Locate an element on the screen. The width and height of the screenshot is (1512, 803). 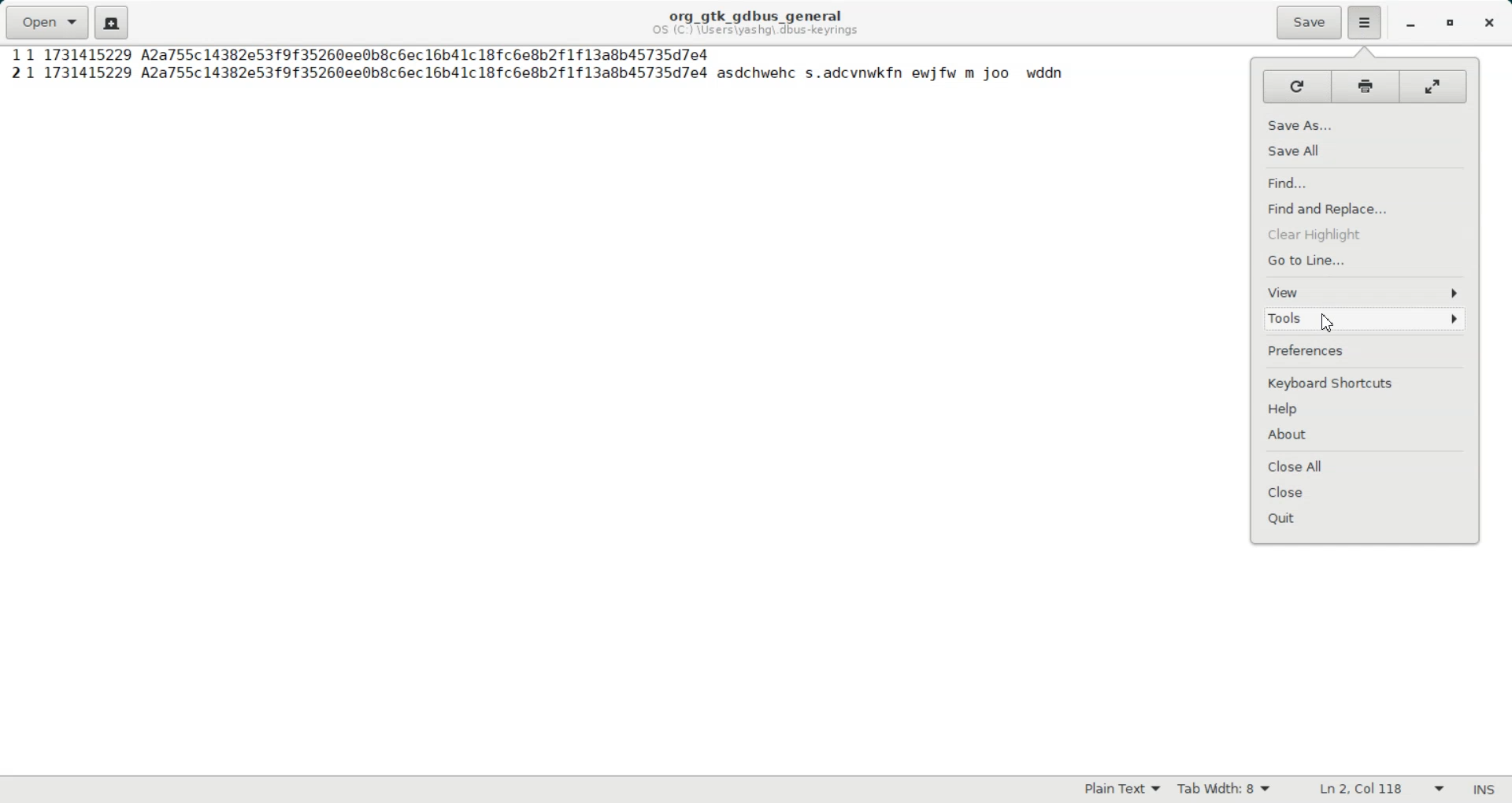
Quit is located at coordinates (1364, 520).